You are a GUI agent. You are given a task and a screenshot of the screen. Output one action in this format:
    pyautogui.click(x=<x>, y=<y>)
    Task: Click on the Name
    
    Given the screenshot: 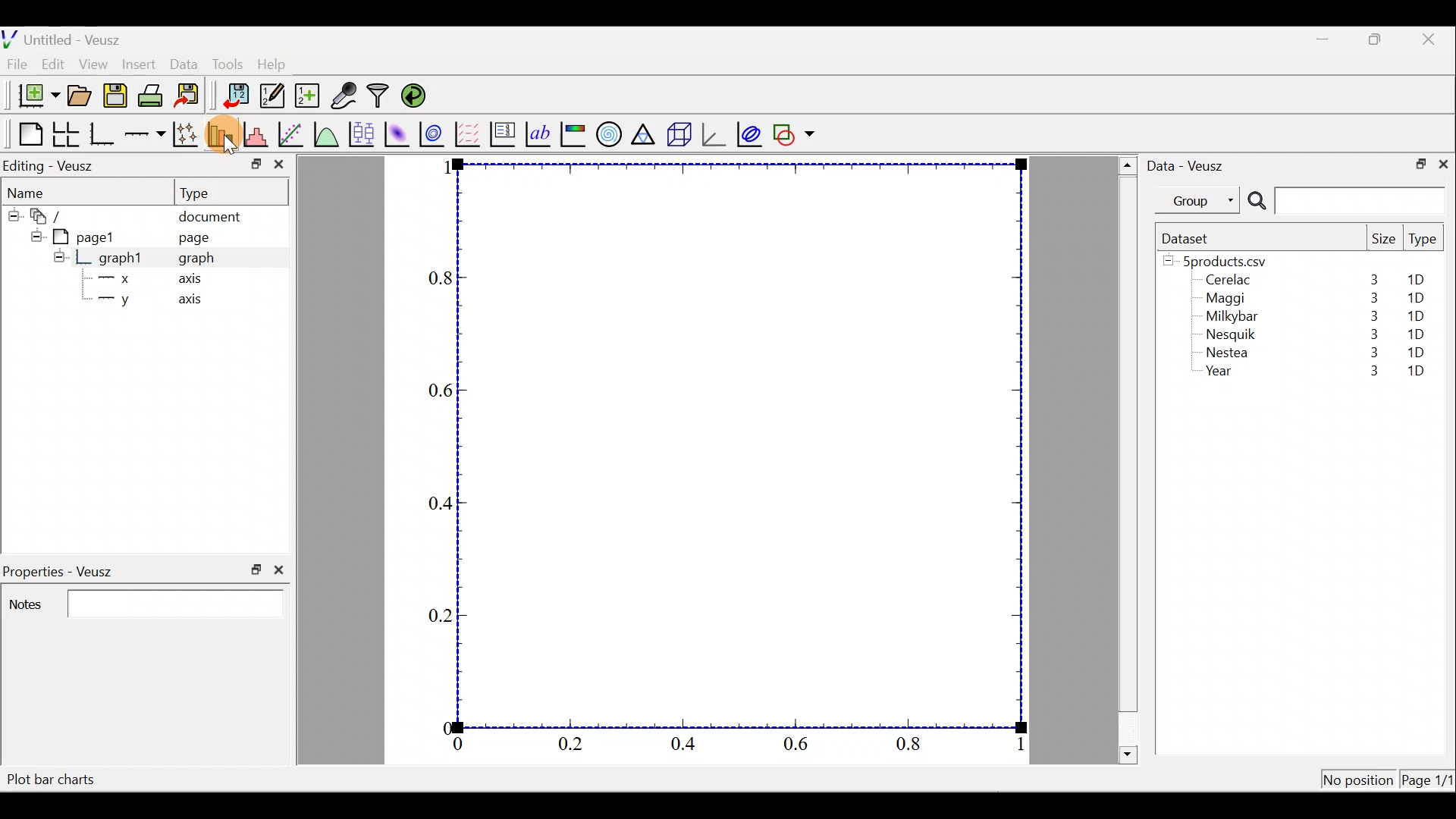 What is the action you would take?
    pyautogui.click(x=39, y=192)
    